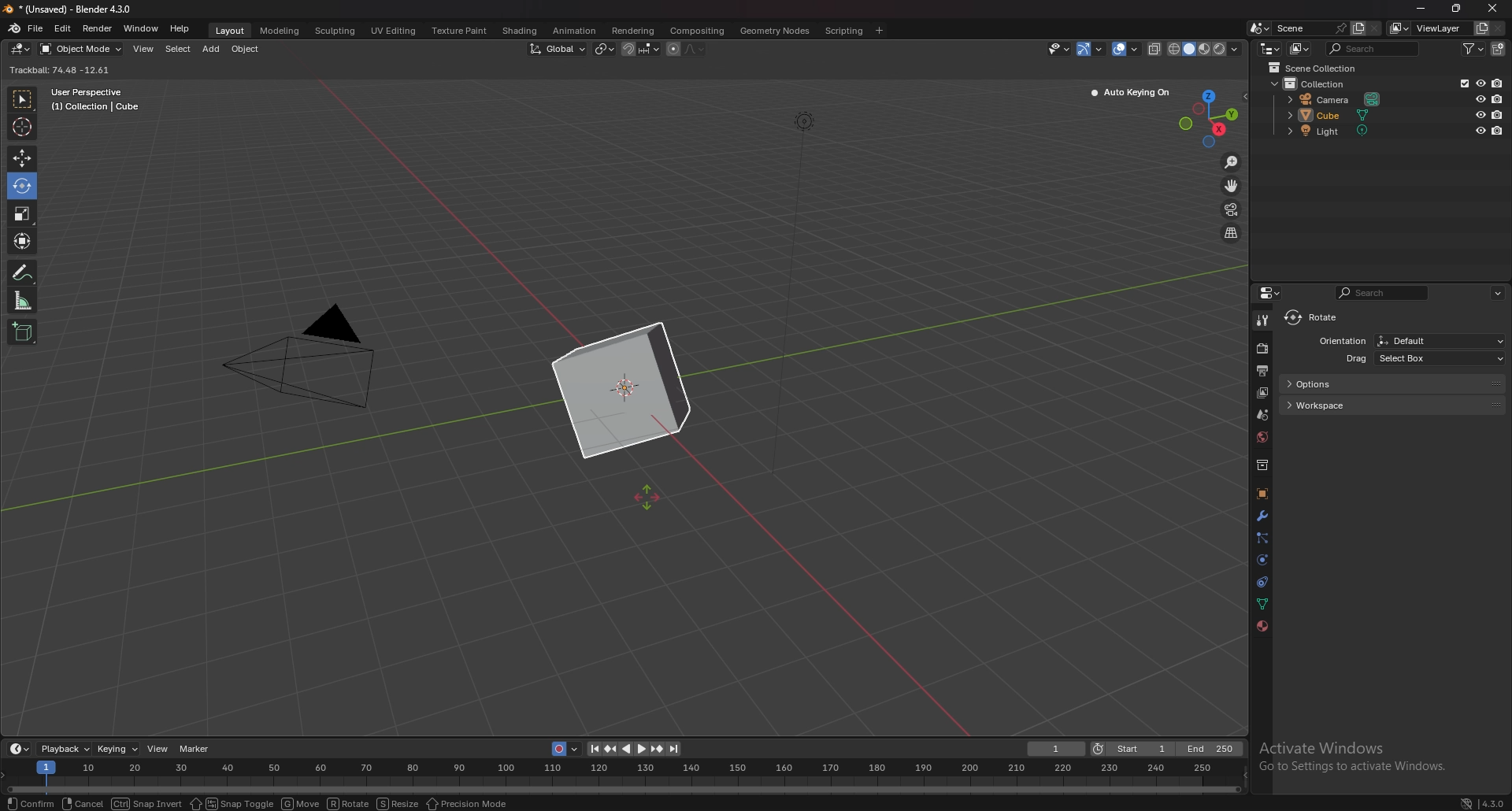 The height and width of the screenshot is (811, 1512). What do you see at coordinates (1264, 602) in the screenshot?
I see `data` at bounding box center [1264, 602].